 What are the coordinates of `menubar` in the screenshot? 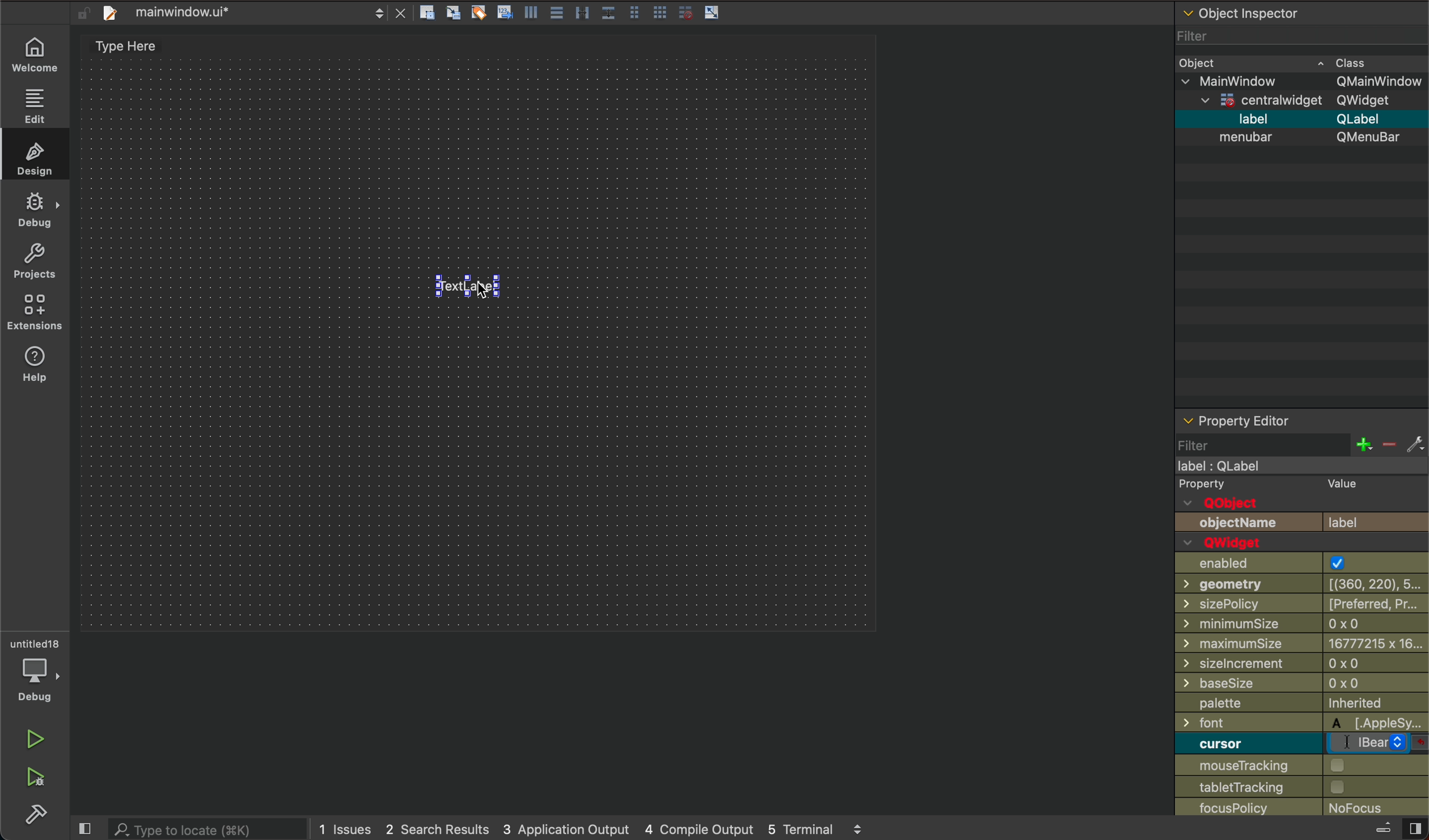 It's located at (1244, 138).